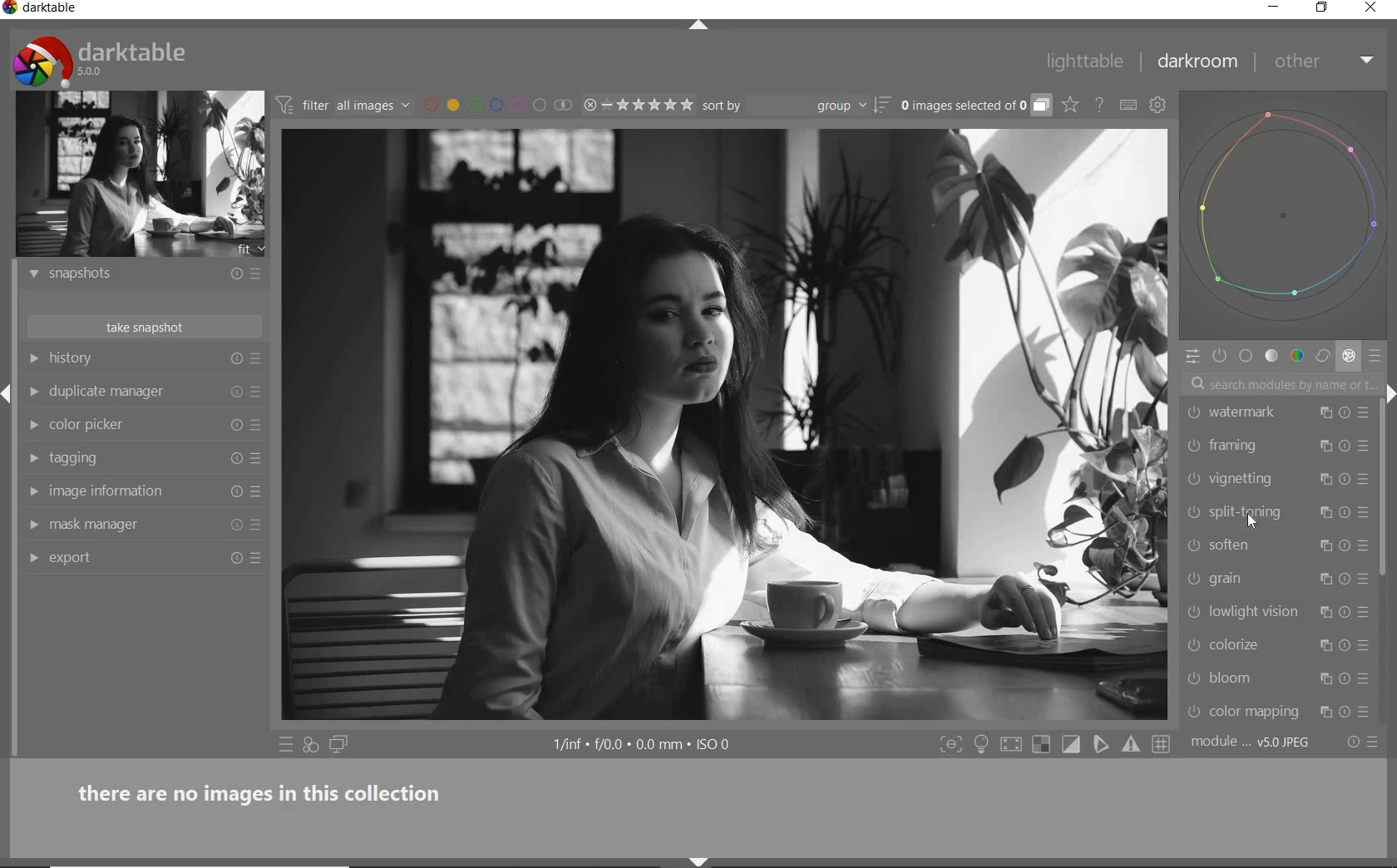 The image size is (1397, 868). What do you see at coordinates (1345, 545) in the screenshot?
I see `reset` at bounding box center [1345, 545].